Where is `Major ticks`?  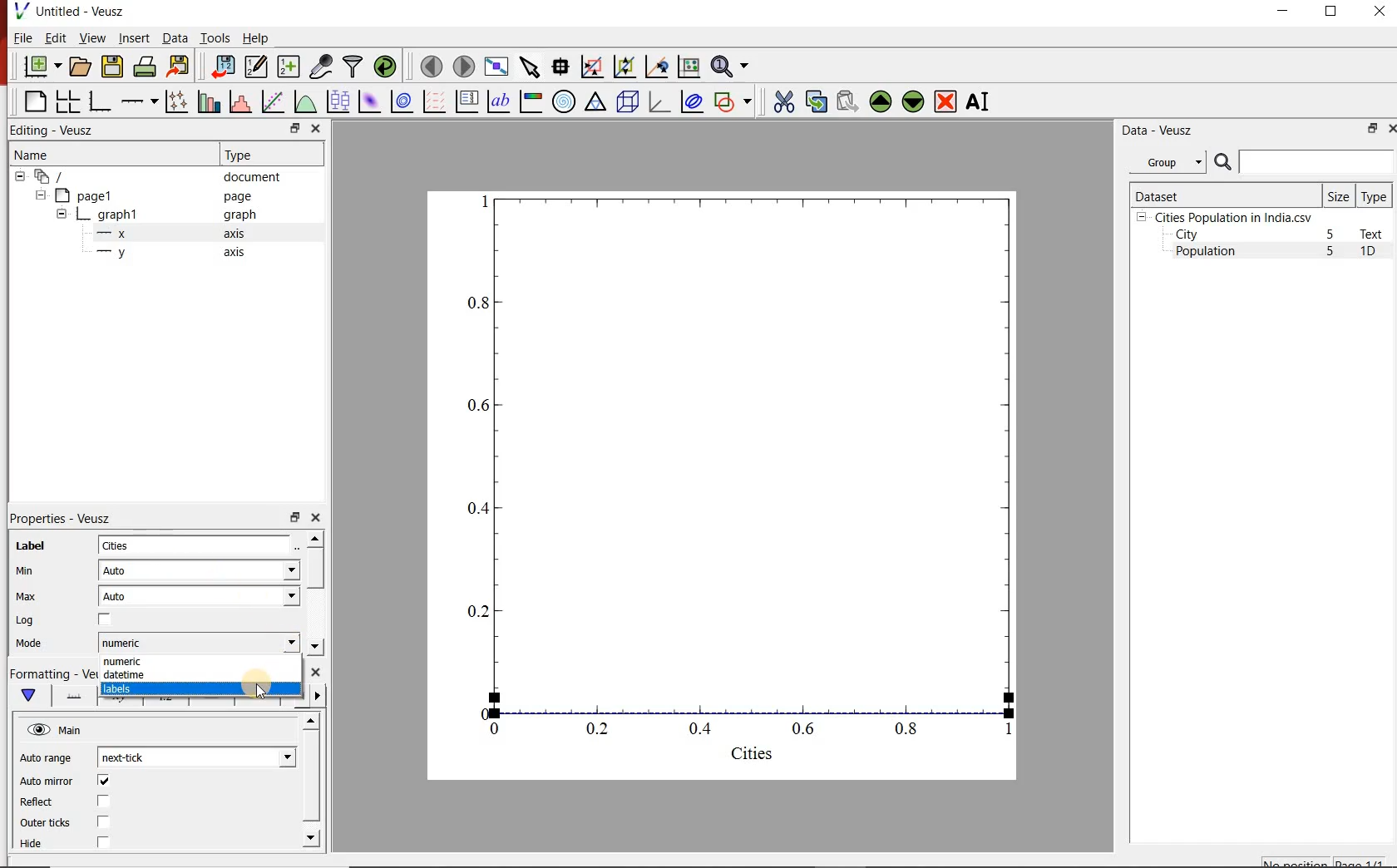 Major ticks is located at coordinates (206, 704).